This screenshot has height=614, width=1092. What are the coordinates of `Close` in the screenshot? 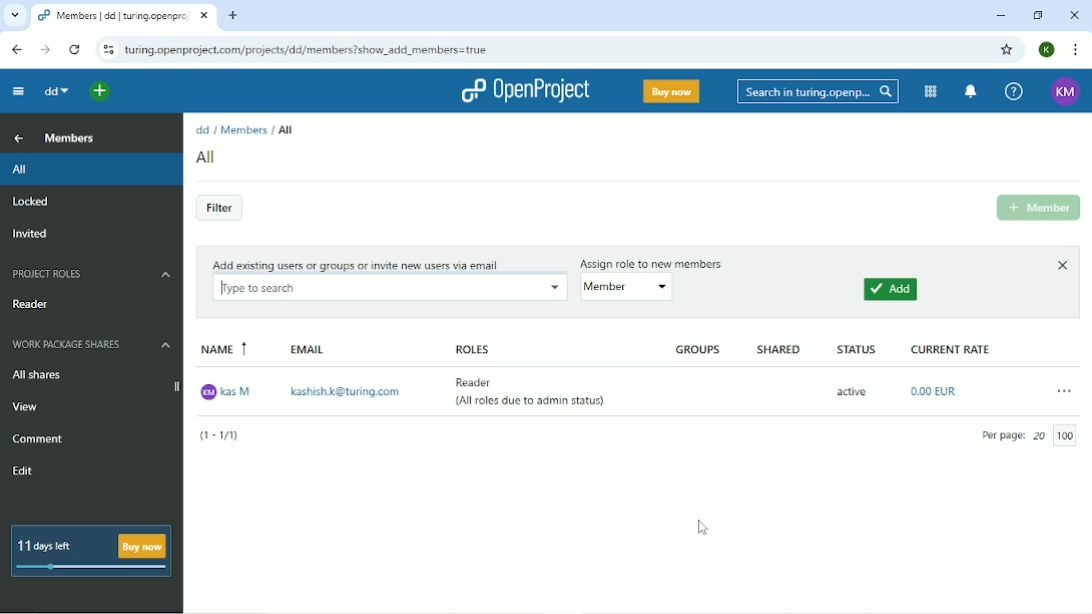 It's located at (1074, 15).